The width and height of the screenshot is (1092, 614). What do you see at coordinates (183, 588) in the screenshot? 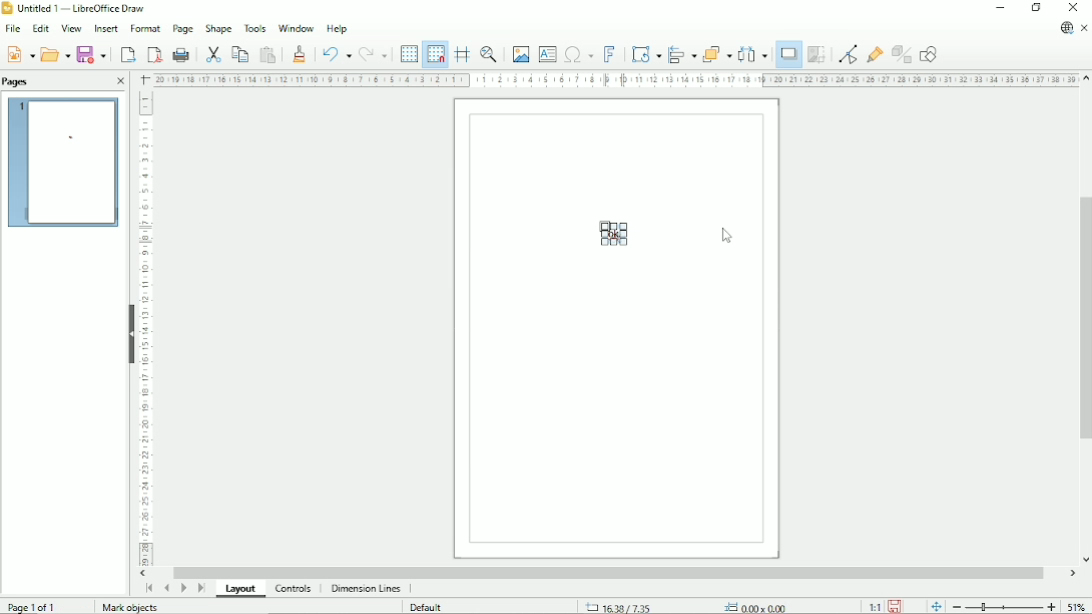
I see `Scroll to next page` at bounding box center [183, 588].